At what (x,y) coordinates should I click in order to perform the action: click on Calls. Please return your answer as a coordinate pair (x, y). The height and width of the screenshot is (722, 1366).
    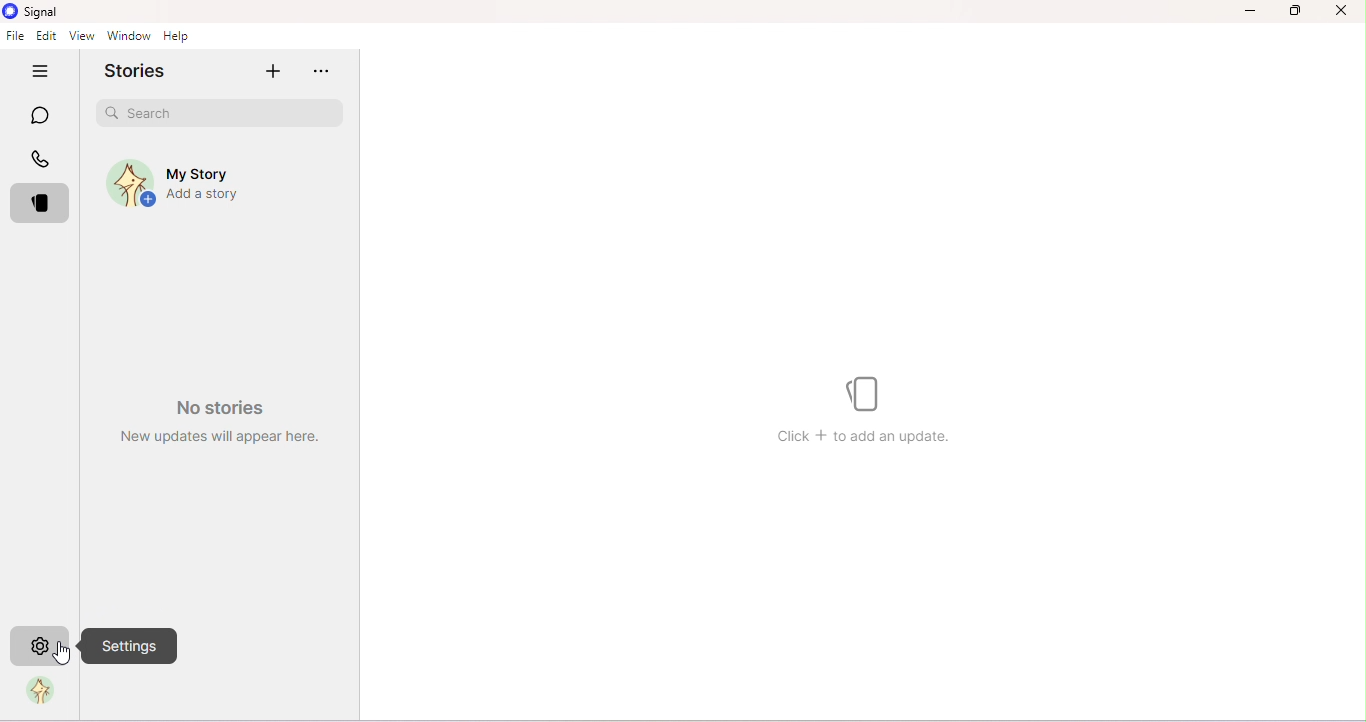
    Looking at the image, I should click on (44, 164).